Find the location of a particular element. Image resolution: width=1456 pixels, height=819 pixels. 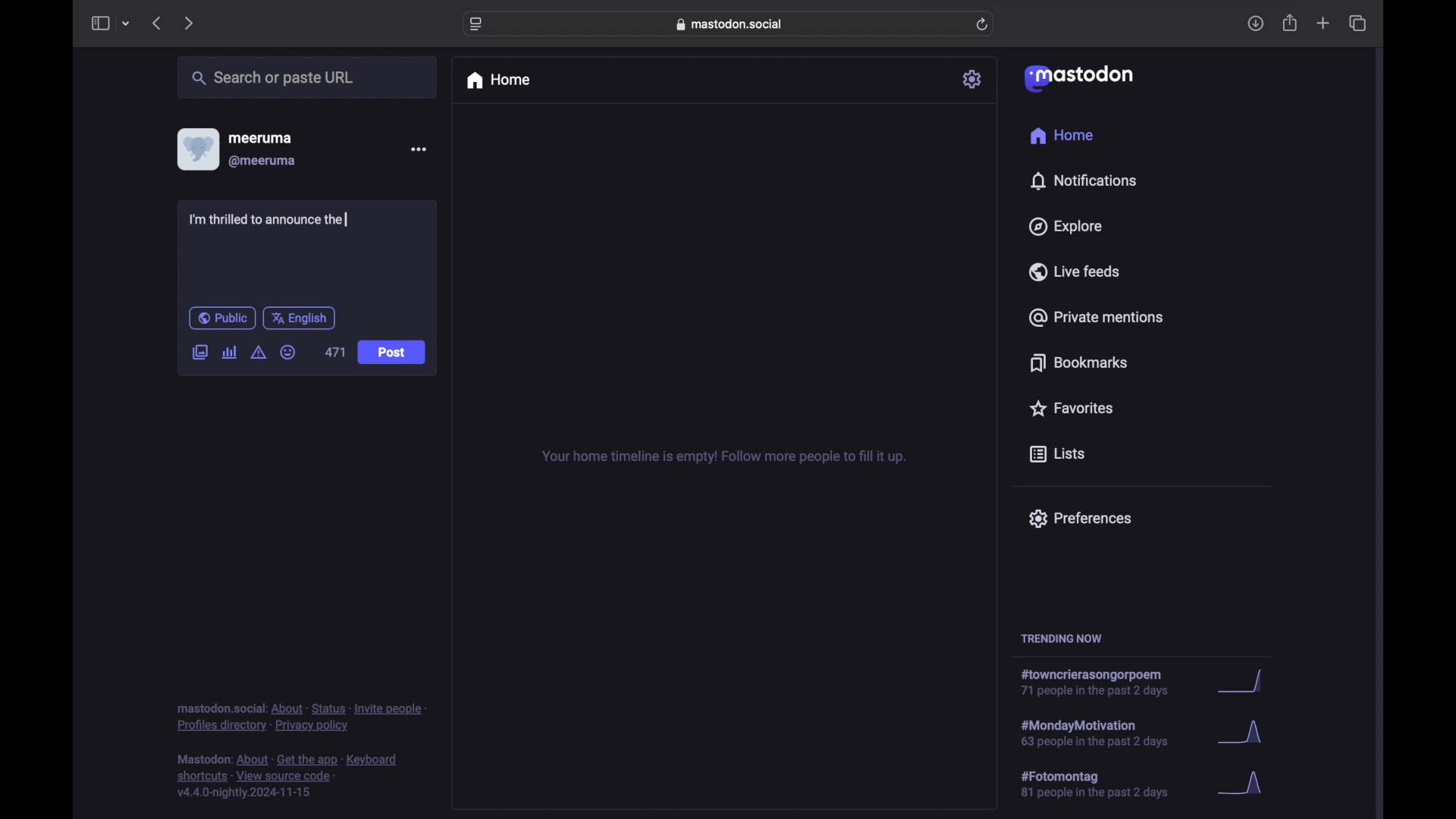

display picture is located at coordinates (196, 149).